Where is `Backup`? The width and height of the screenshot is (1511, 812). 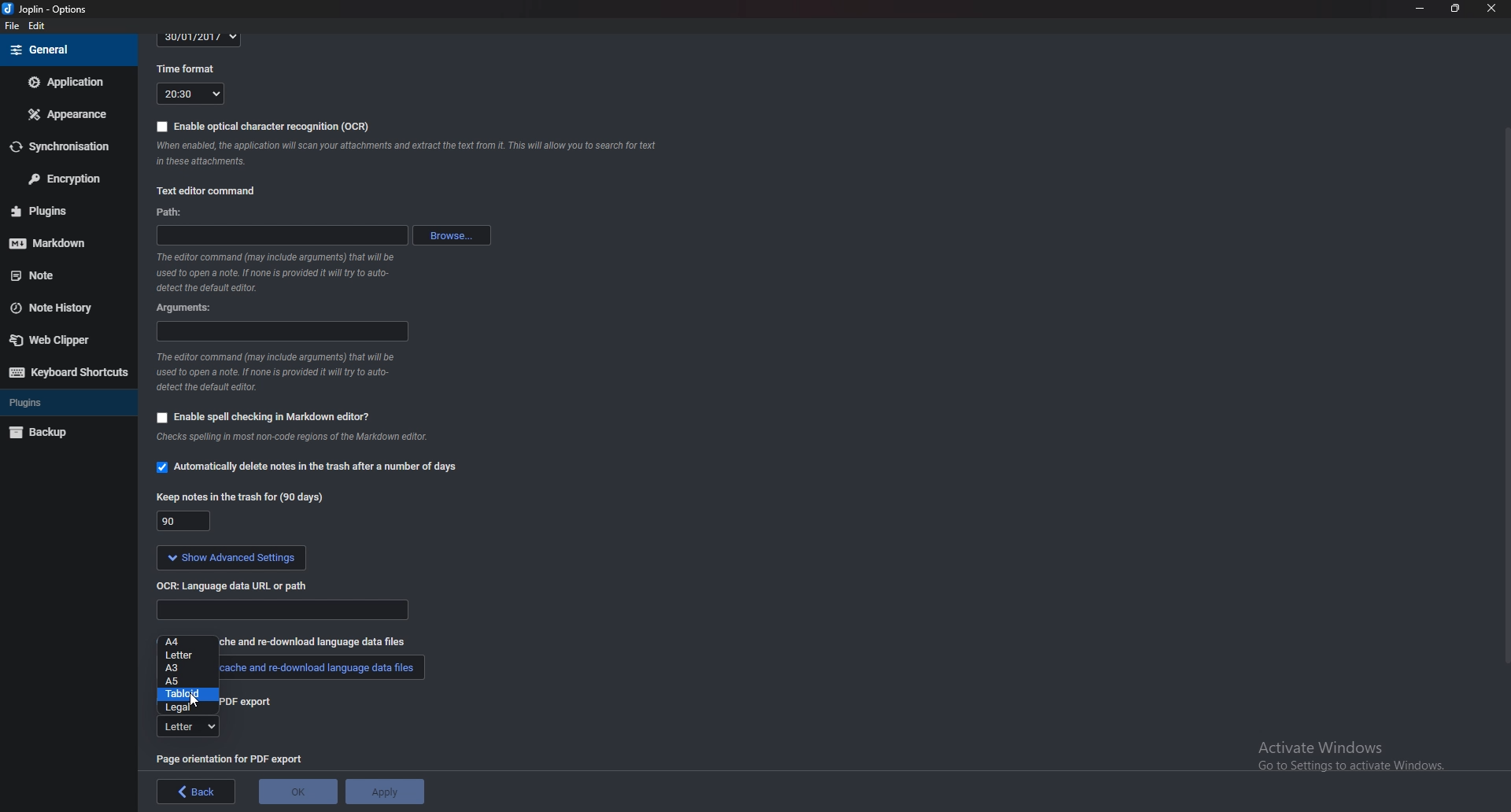 Backup is located at coordinates (61, 433).